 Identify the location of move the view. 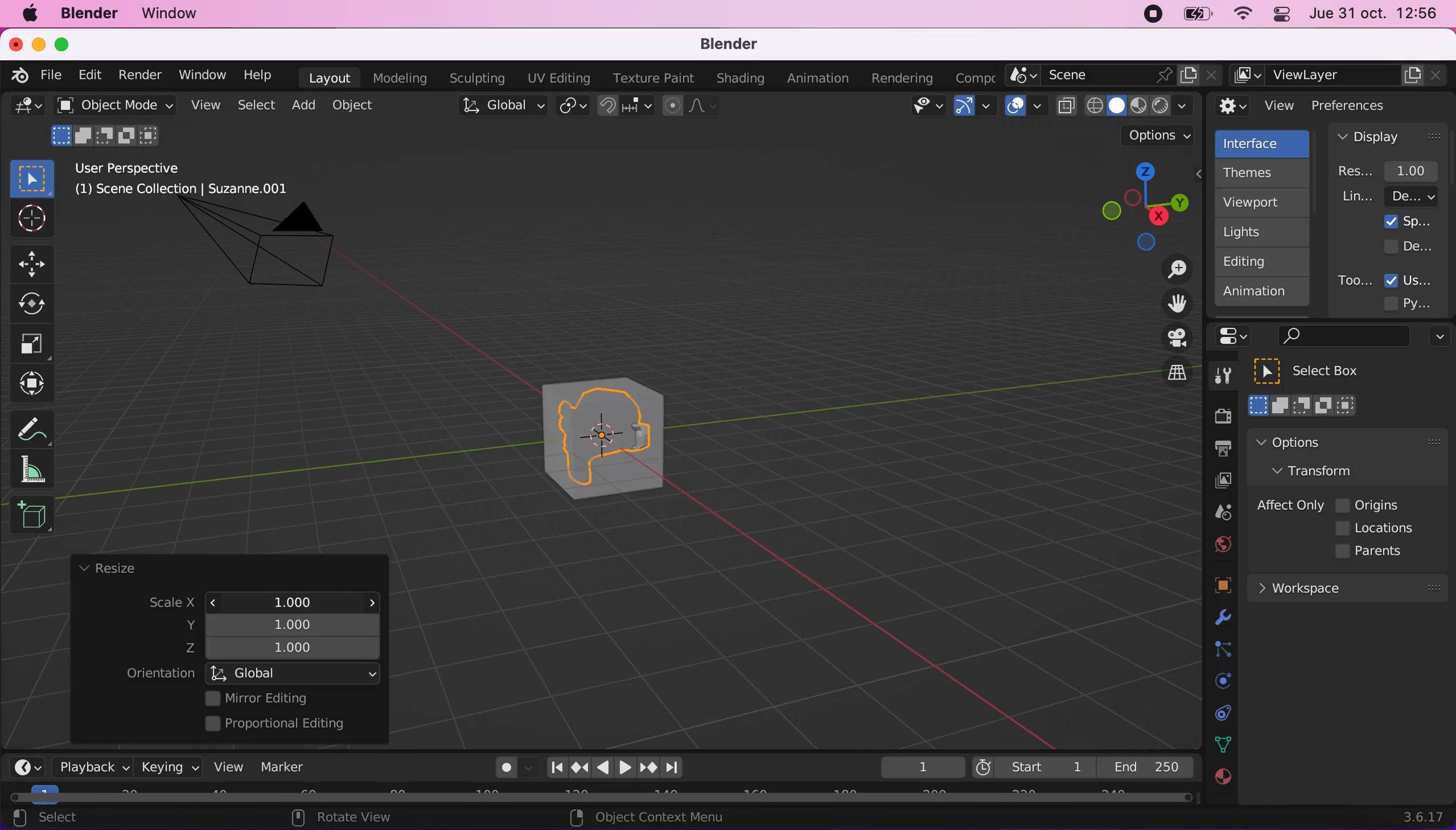
(1168, 304).